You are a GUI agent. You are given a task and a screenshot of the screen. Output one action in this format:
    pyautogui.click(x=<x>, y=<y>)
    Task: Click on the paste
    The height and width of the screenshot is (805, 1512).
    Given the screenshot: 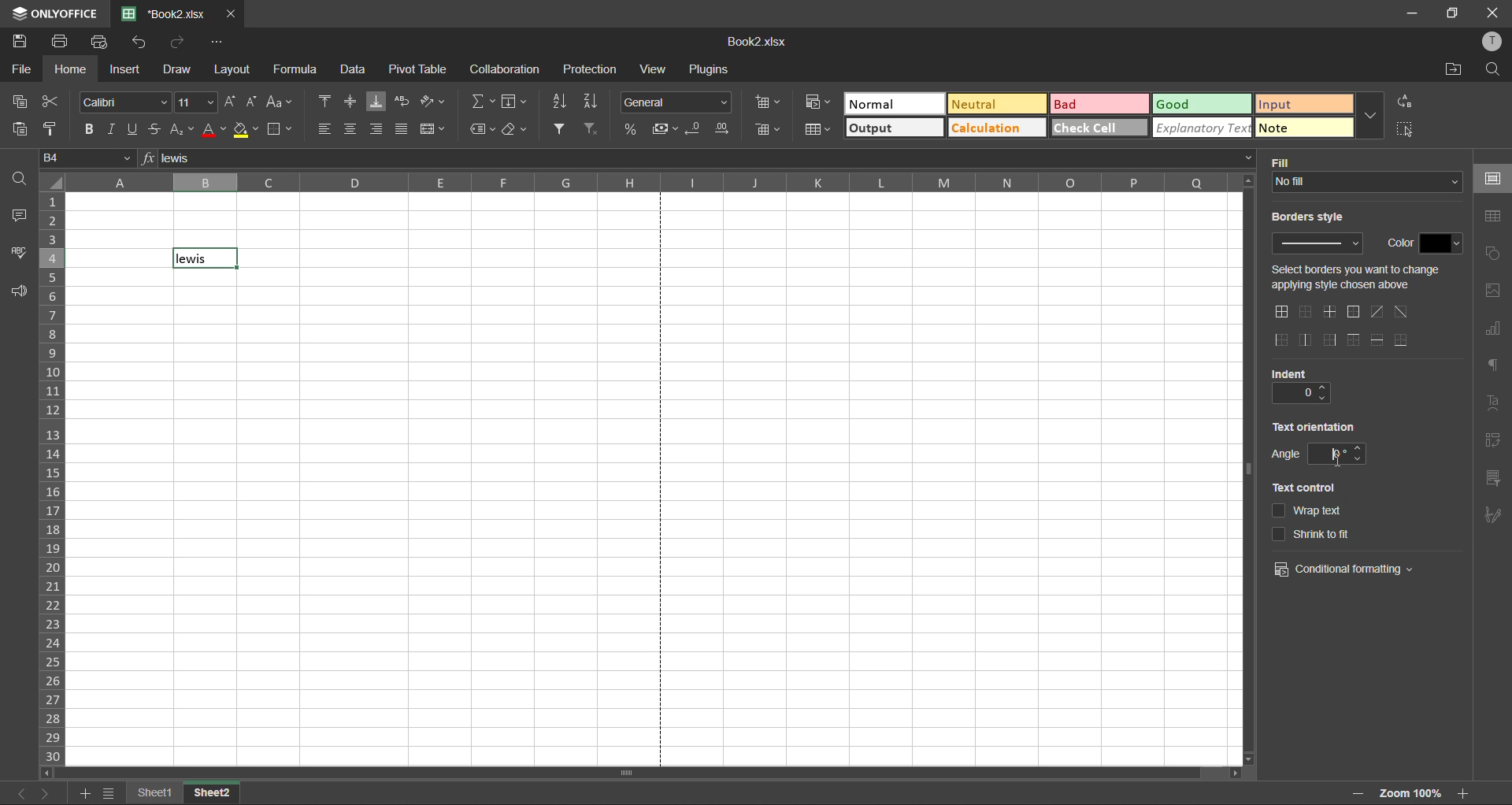 What is the action you would take?
    pyautogui.click(x=24, y=130)
    